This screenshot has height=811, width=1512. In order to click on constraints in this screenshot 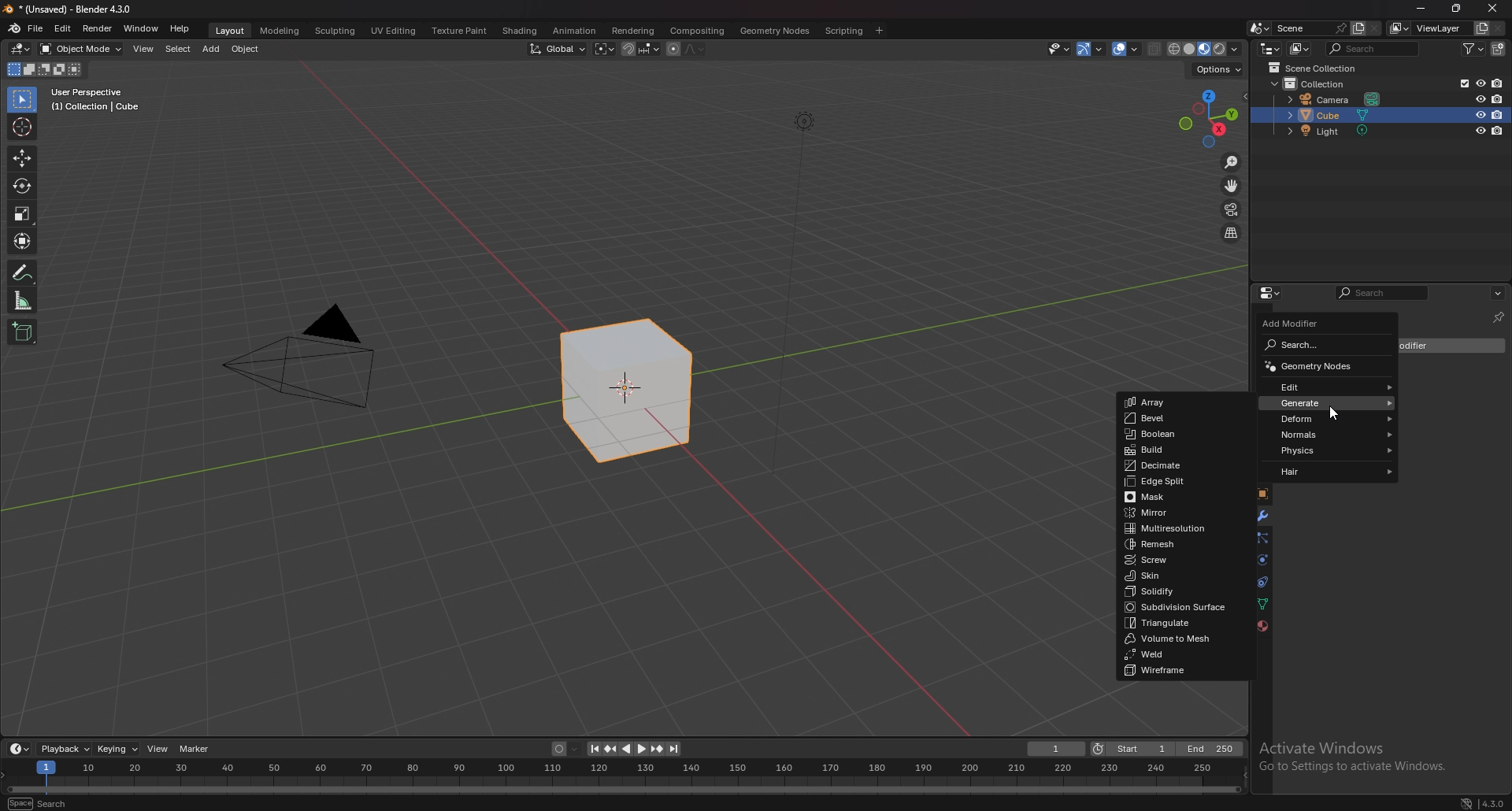, I will do `click(1261, 581)`.